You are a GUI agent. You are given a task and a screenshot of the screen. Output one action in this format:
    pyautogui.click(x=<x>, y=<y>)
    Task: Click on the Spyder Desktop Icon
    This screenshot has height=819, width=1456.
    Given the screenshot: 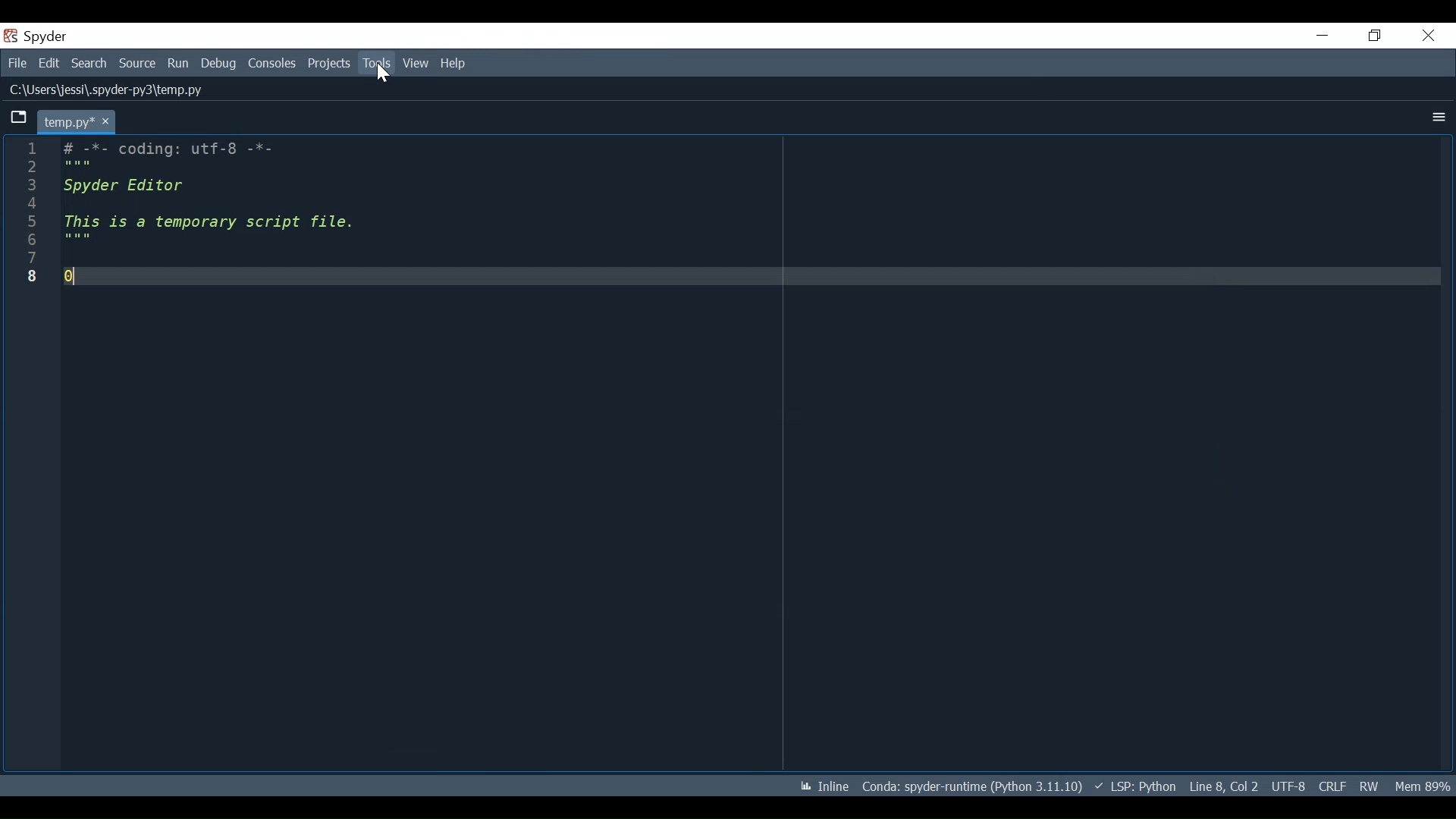 What is the action you would take?
    pyautogui.click(x=39, y=37)
    